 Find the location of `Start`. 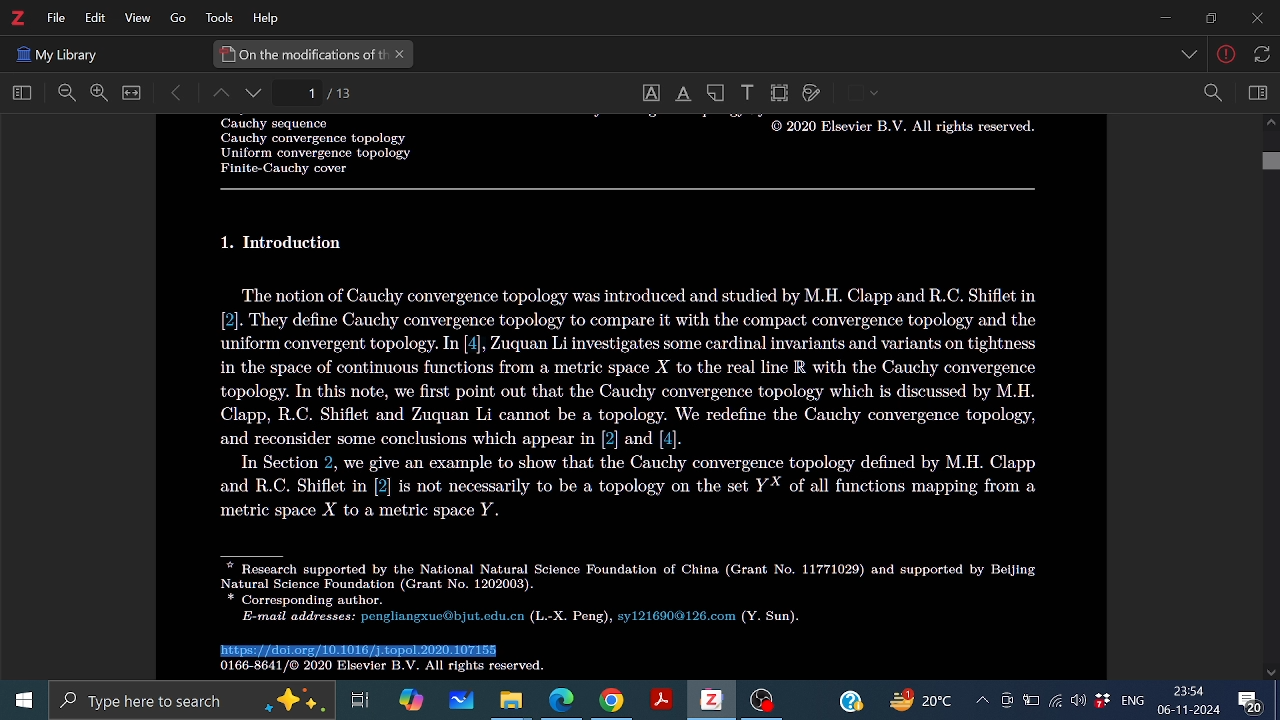

Start is located at coordinates (19, 701).